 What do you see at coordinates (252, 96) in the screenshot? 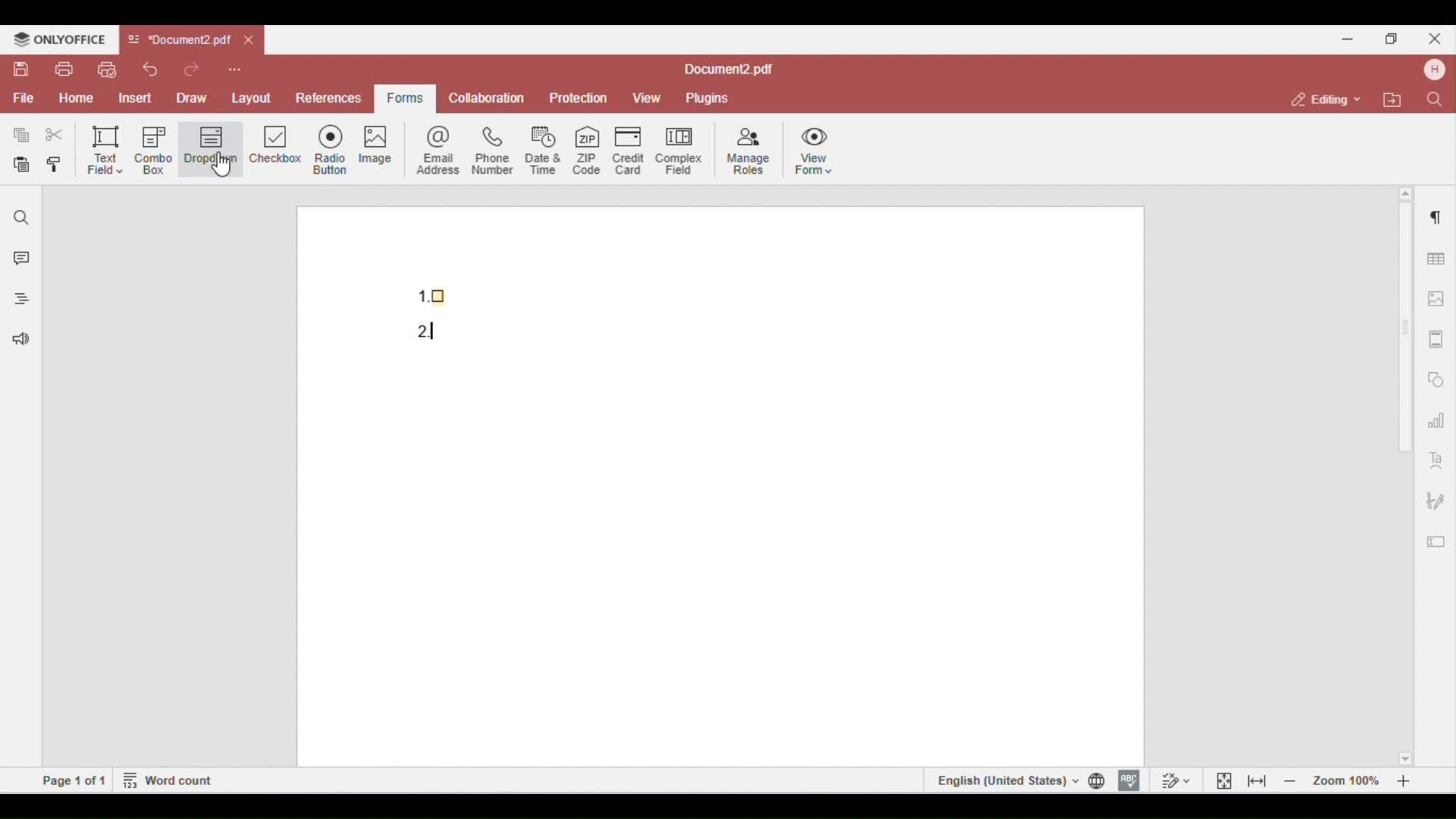
I see `layout` at bounding box center [252, 96].